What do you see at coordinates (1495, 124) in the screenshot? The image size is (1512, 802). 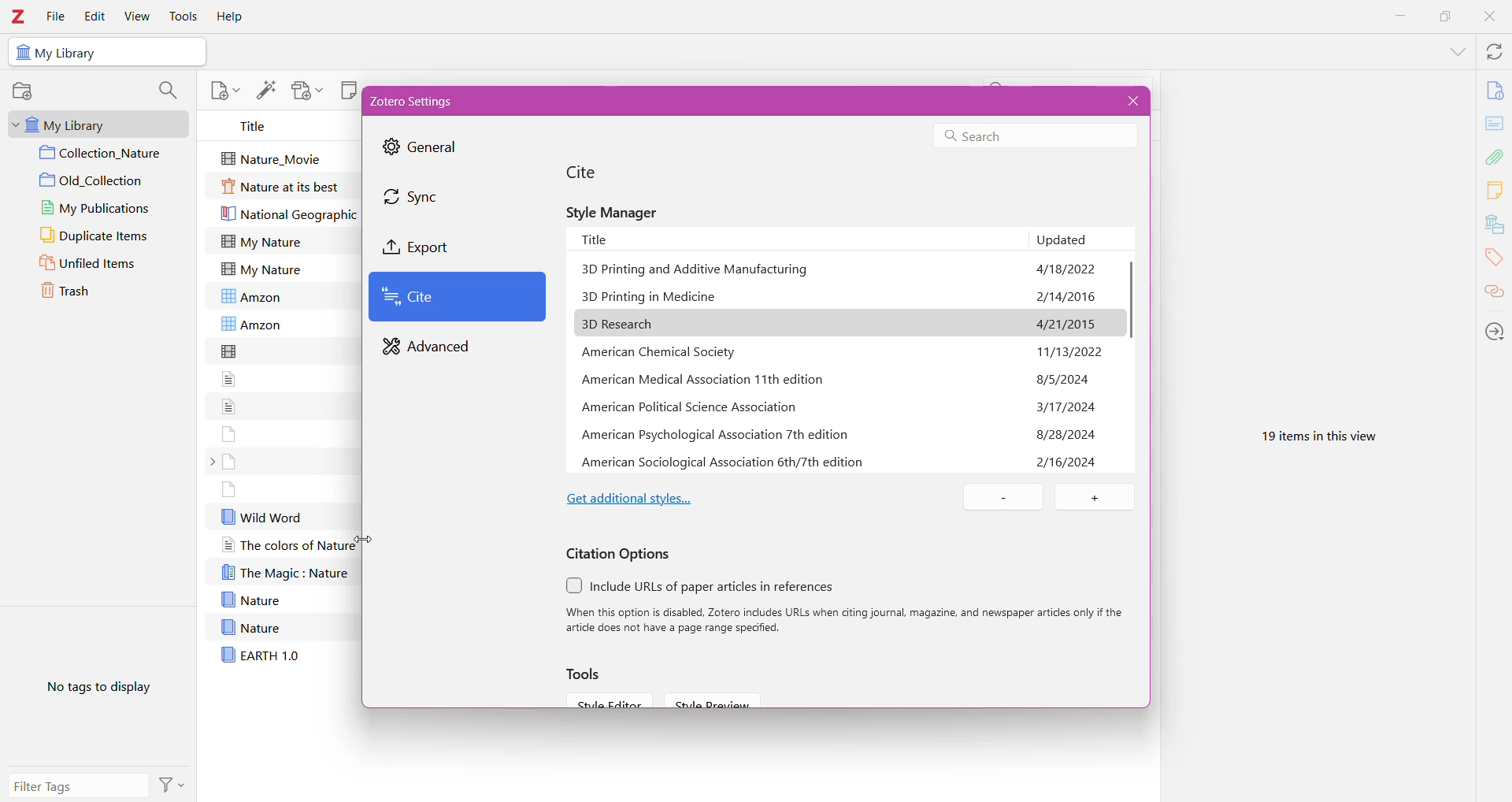 I see `Abstract` at bounding box center [1495, 124].